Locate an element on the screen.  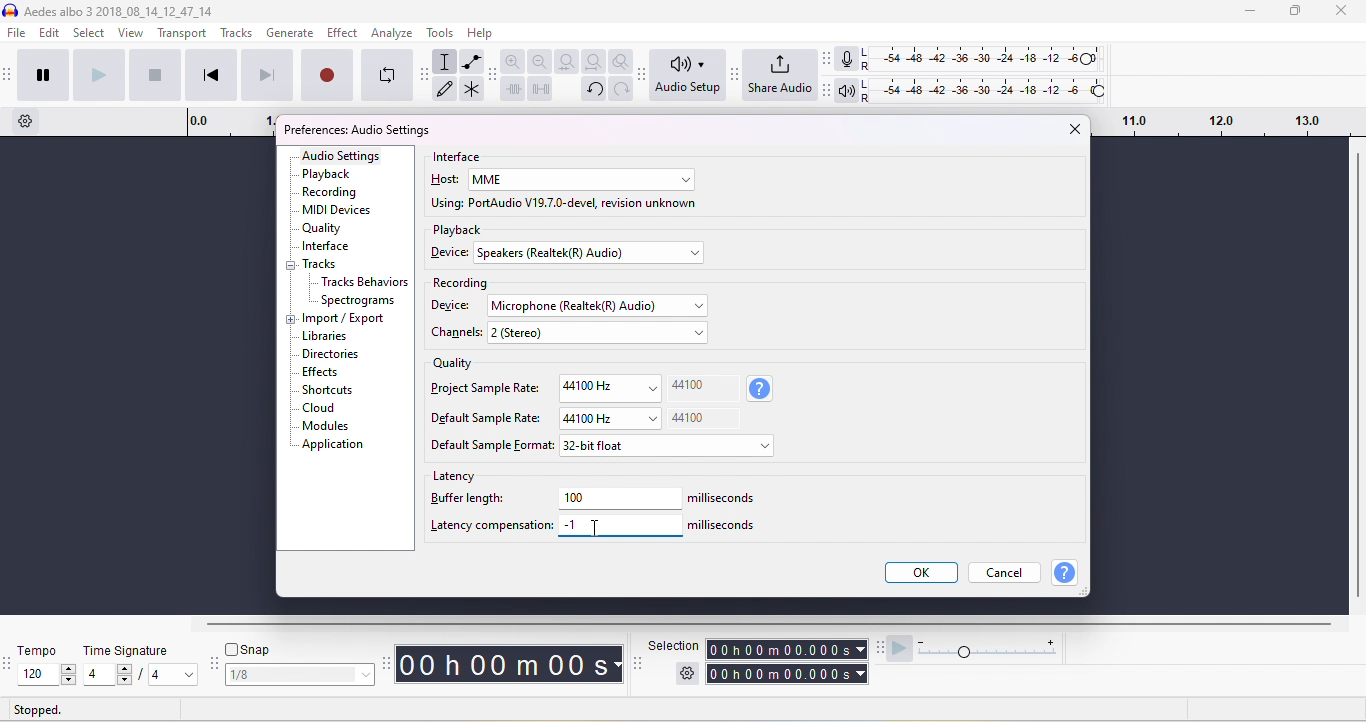
device is located at coordinates (451, 305).